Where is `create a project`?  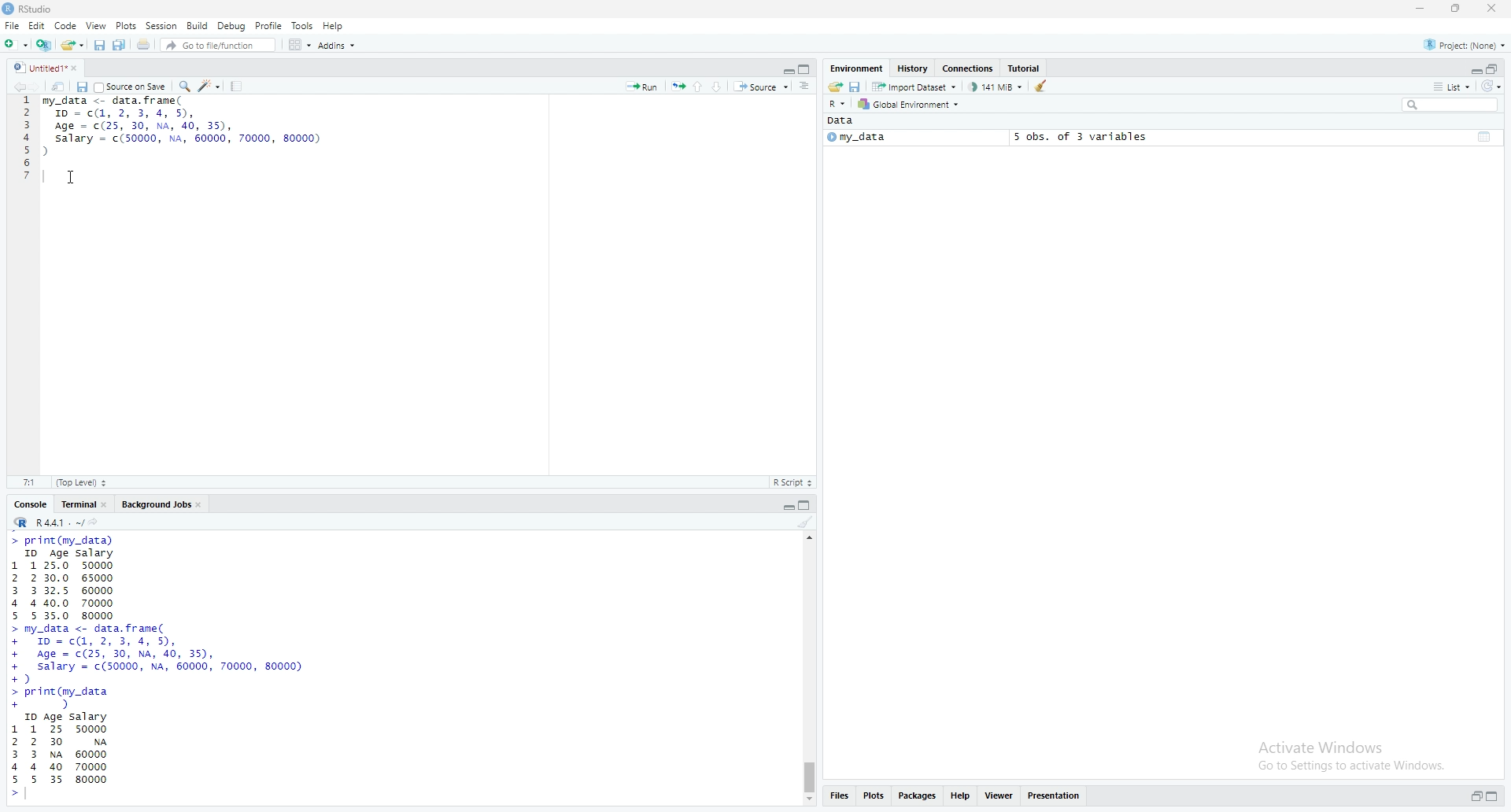 create a project is located at coordinates (45, 46).